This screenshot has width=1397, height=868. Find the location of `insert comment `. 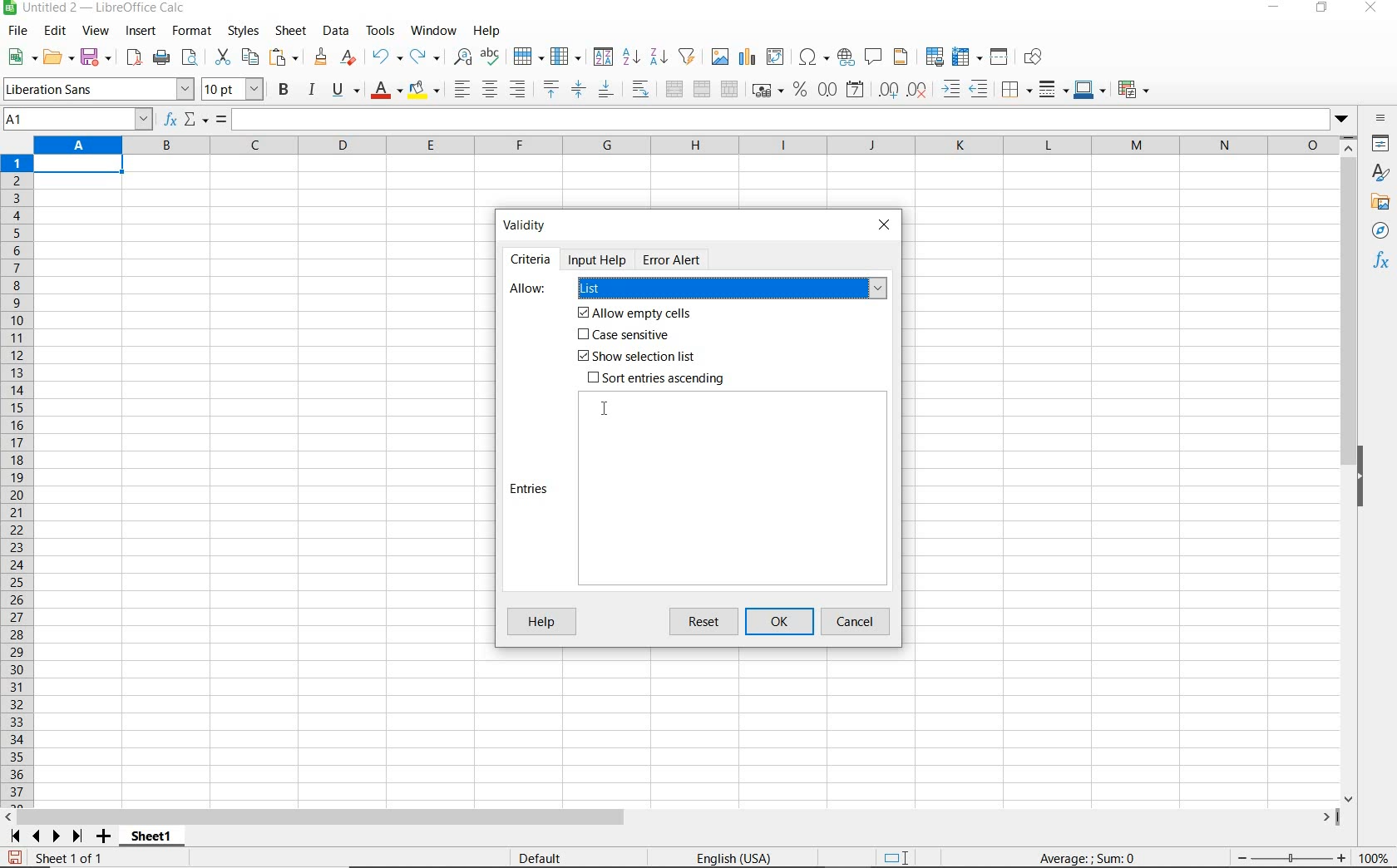

insert comment  is located at coordinates (874, 57).